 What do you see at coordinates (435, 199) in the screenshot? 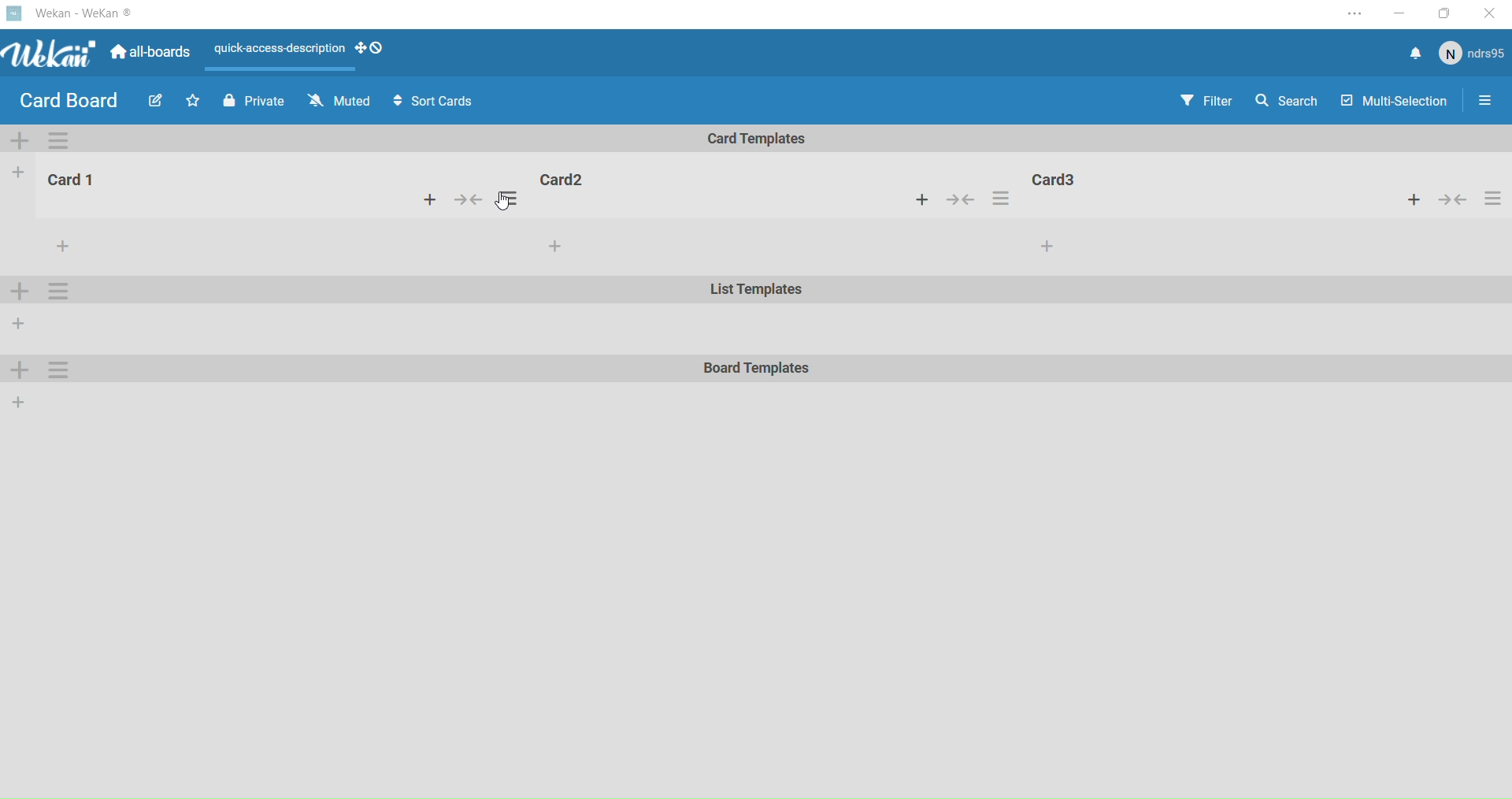
I see `add` at bounding box center [435, 199].